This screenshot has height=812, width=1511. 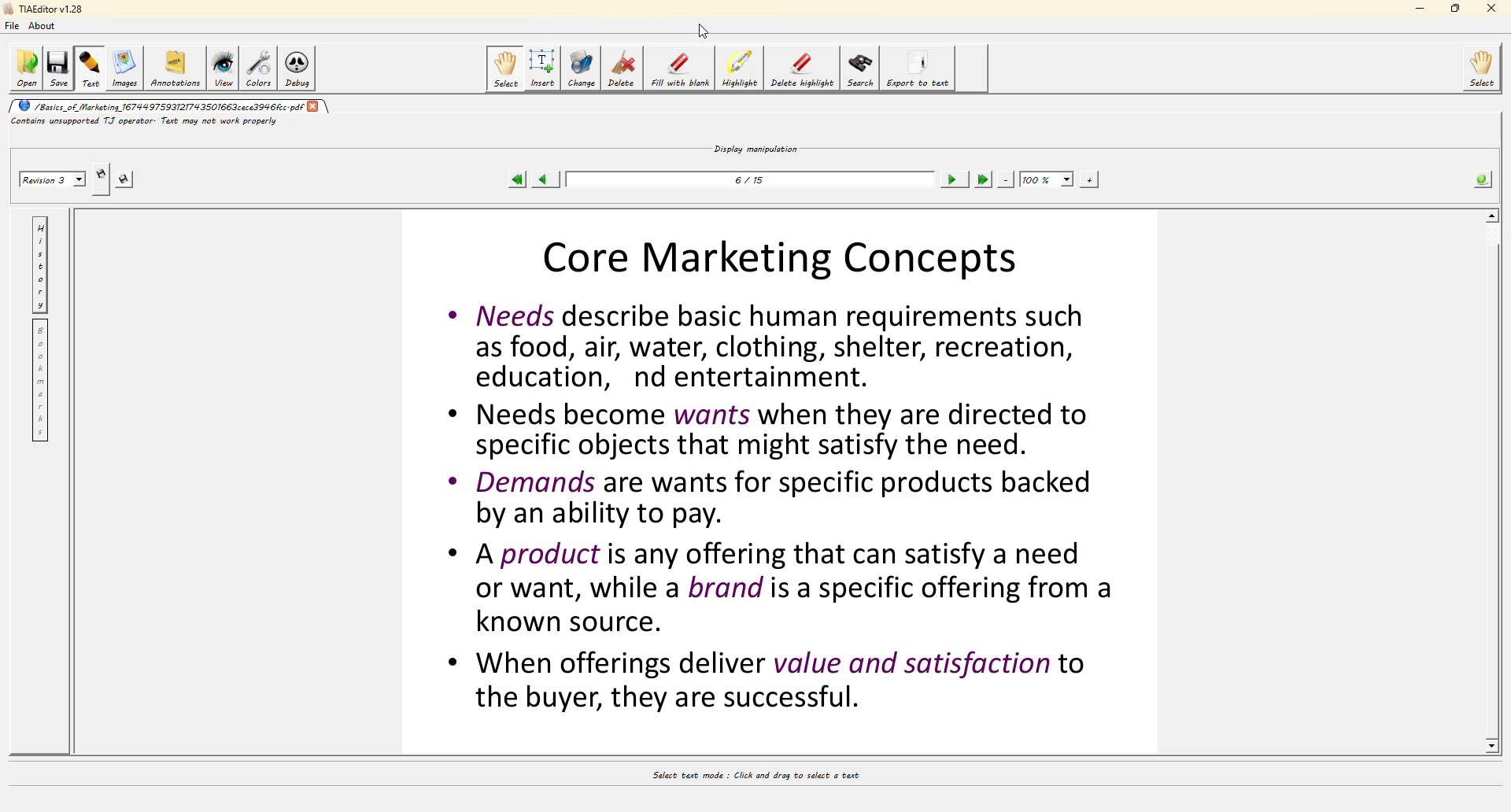 I want to click on change, so click(x=581, y=68).